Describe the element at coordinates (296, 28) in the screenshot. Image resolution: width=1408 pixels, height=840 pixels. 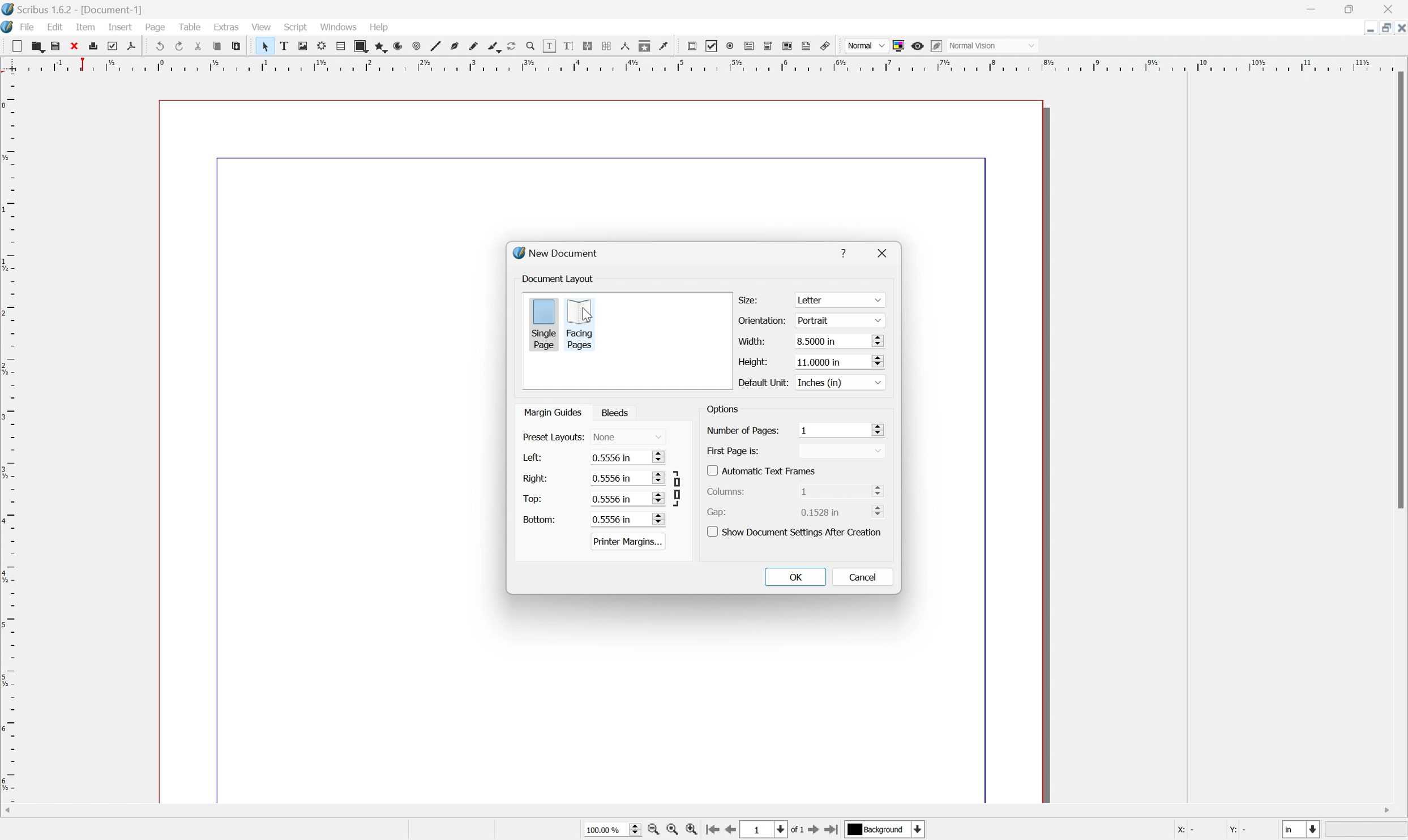
I see `Script` at that location.